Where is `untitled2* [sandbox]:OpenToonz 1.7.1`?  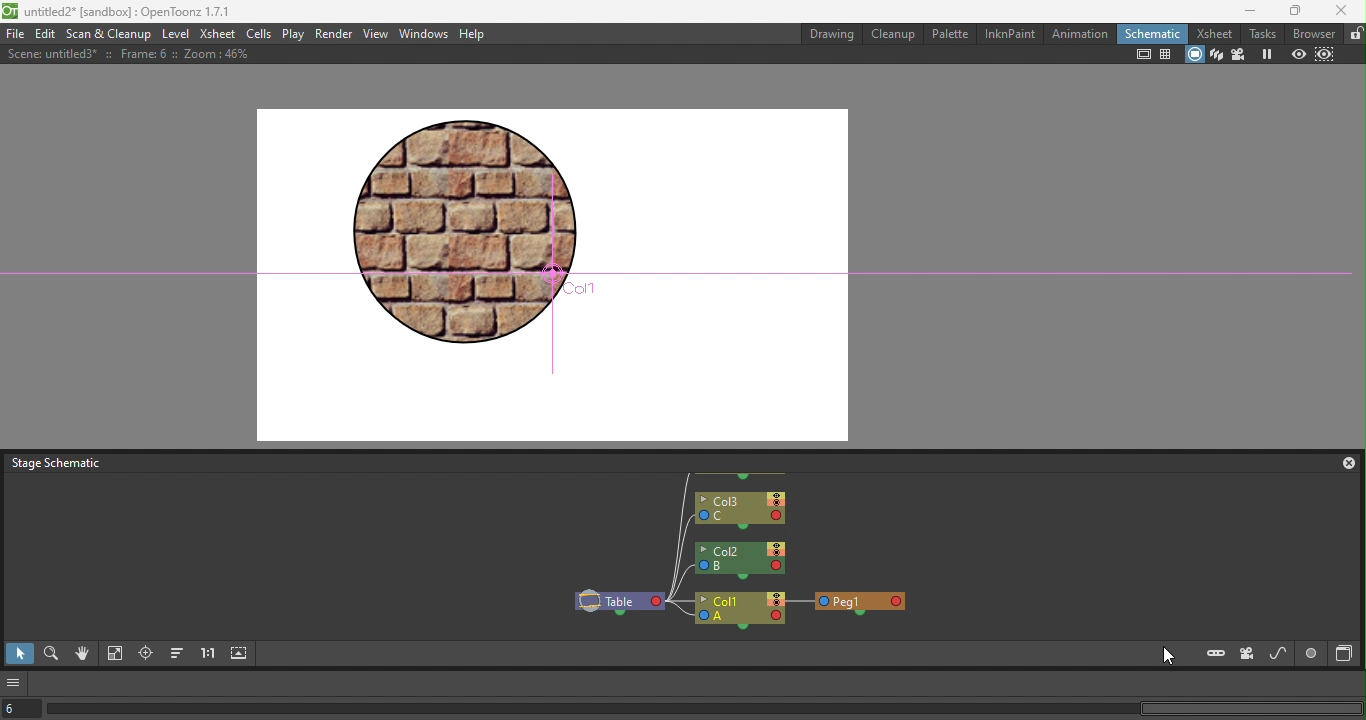 untitled2* [sandbox]:OpenToonz 1.7.1 is located at coordinates (119, 13).